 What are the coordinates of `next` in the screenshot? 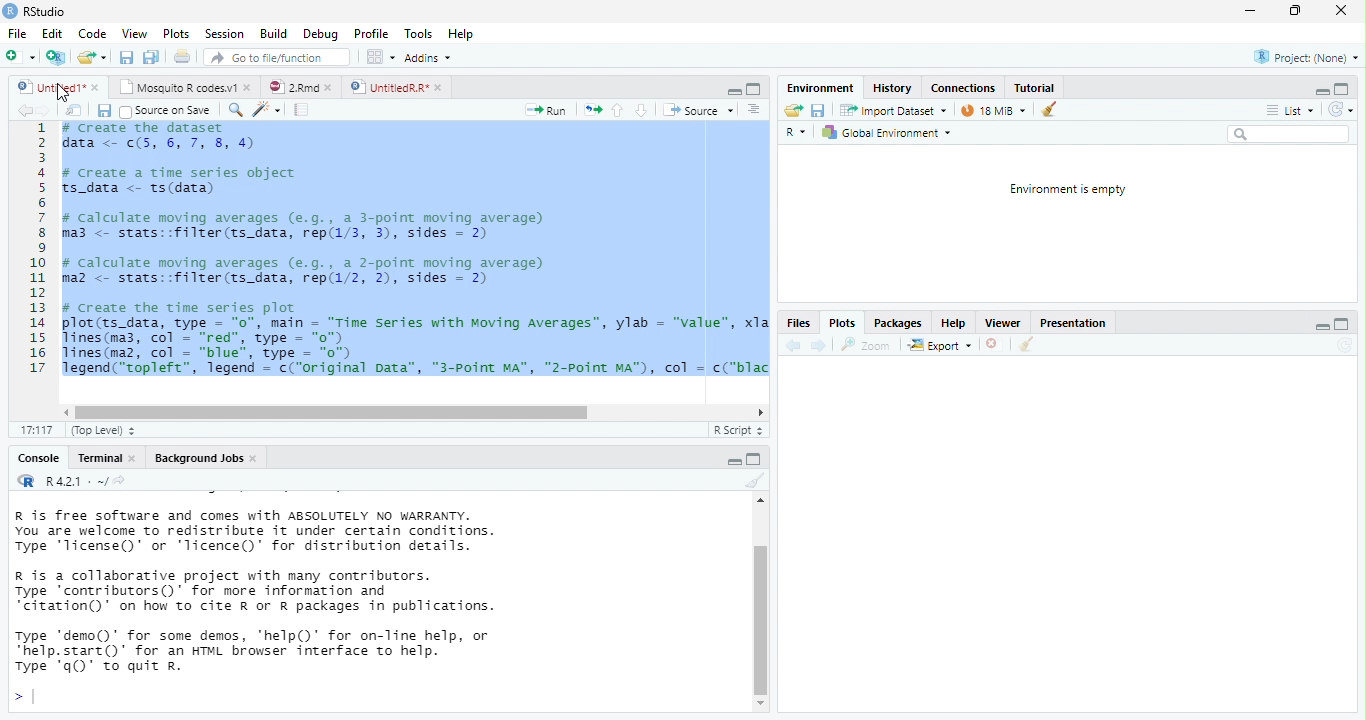 It's located at (819, 345).